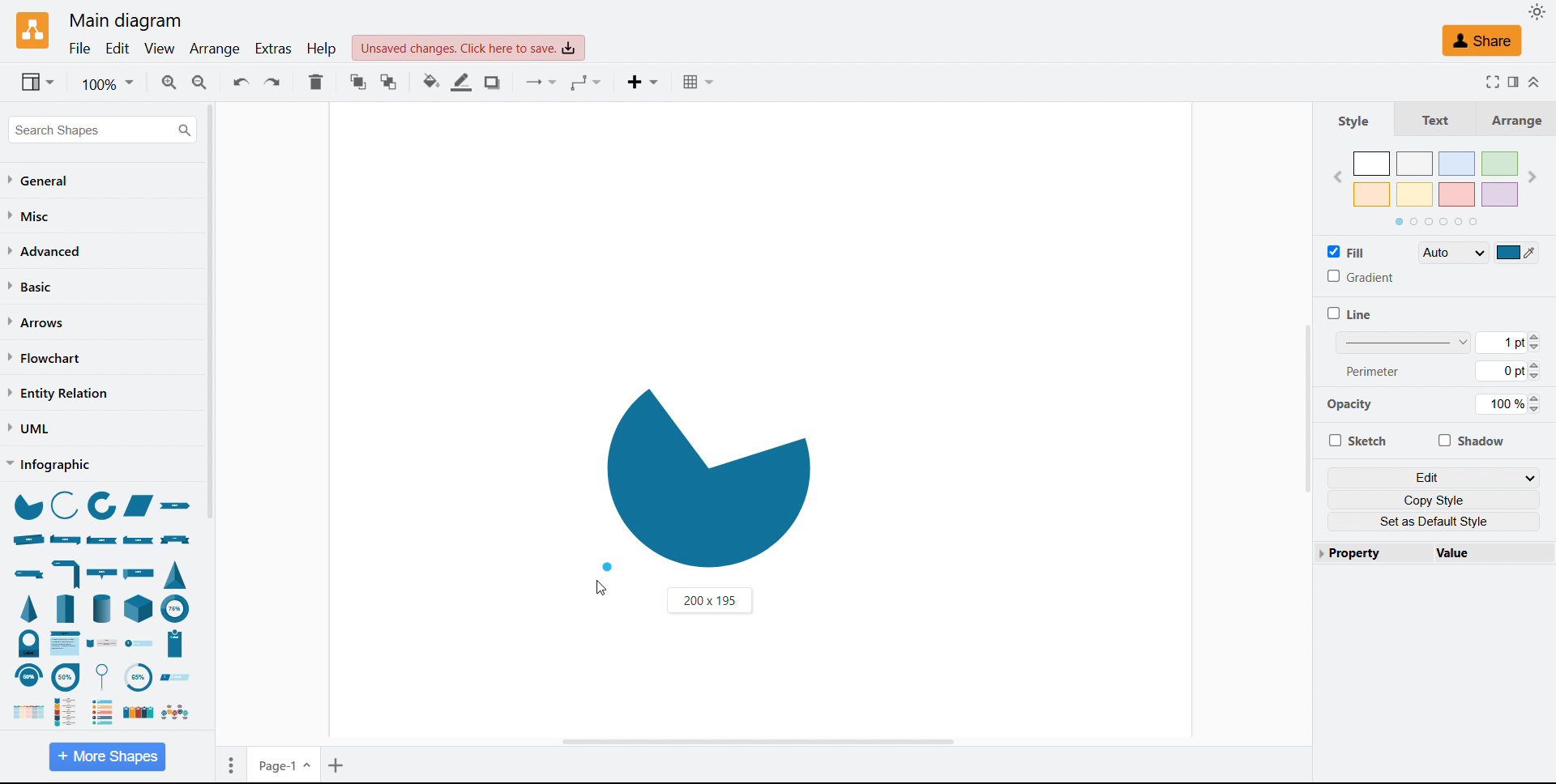  Describe the element at coordinates (67, 573) in the screenshot. I see `banner half fold` at that location.